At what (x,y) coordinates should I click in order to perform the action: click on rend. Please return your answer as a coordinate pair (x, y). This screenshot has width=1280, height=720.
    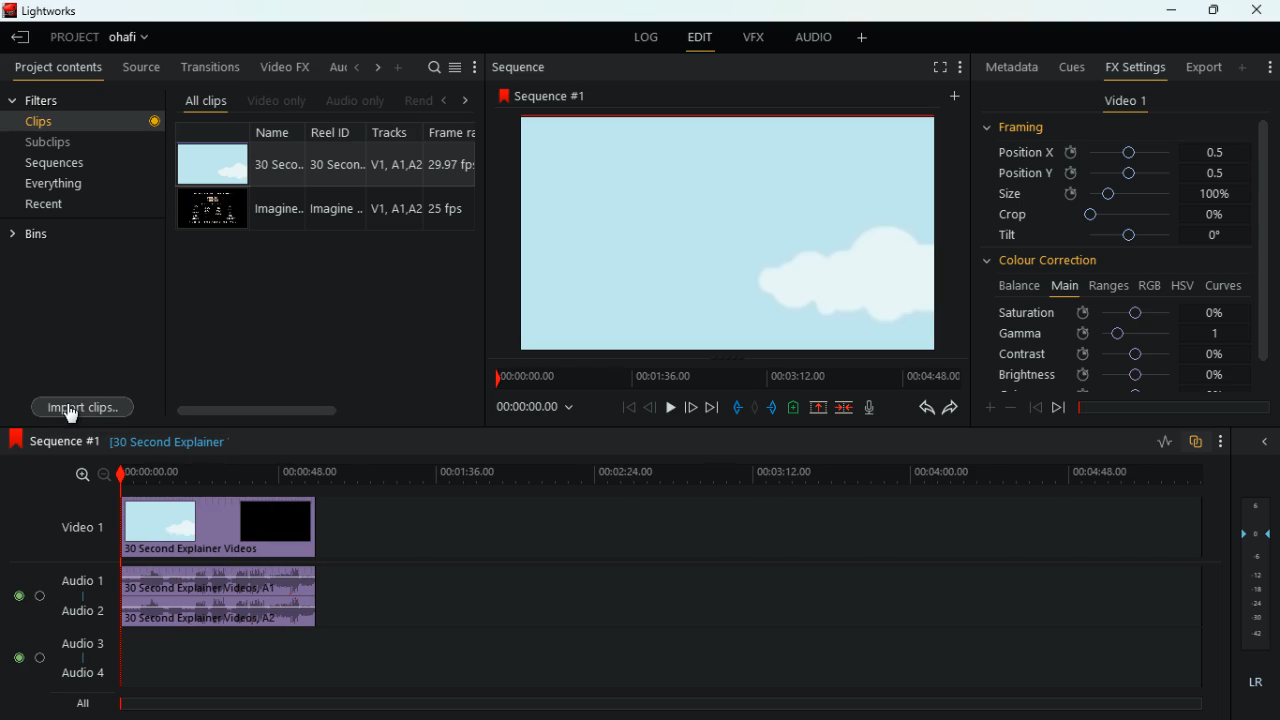
    Looking at the image, I should click on (412, 98).